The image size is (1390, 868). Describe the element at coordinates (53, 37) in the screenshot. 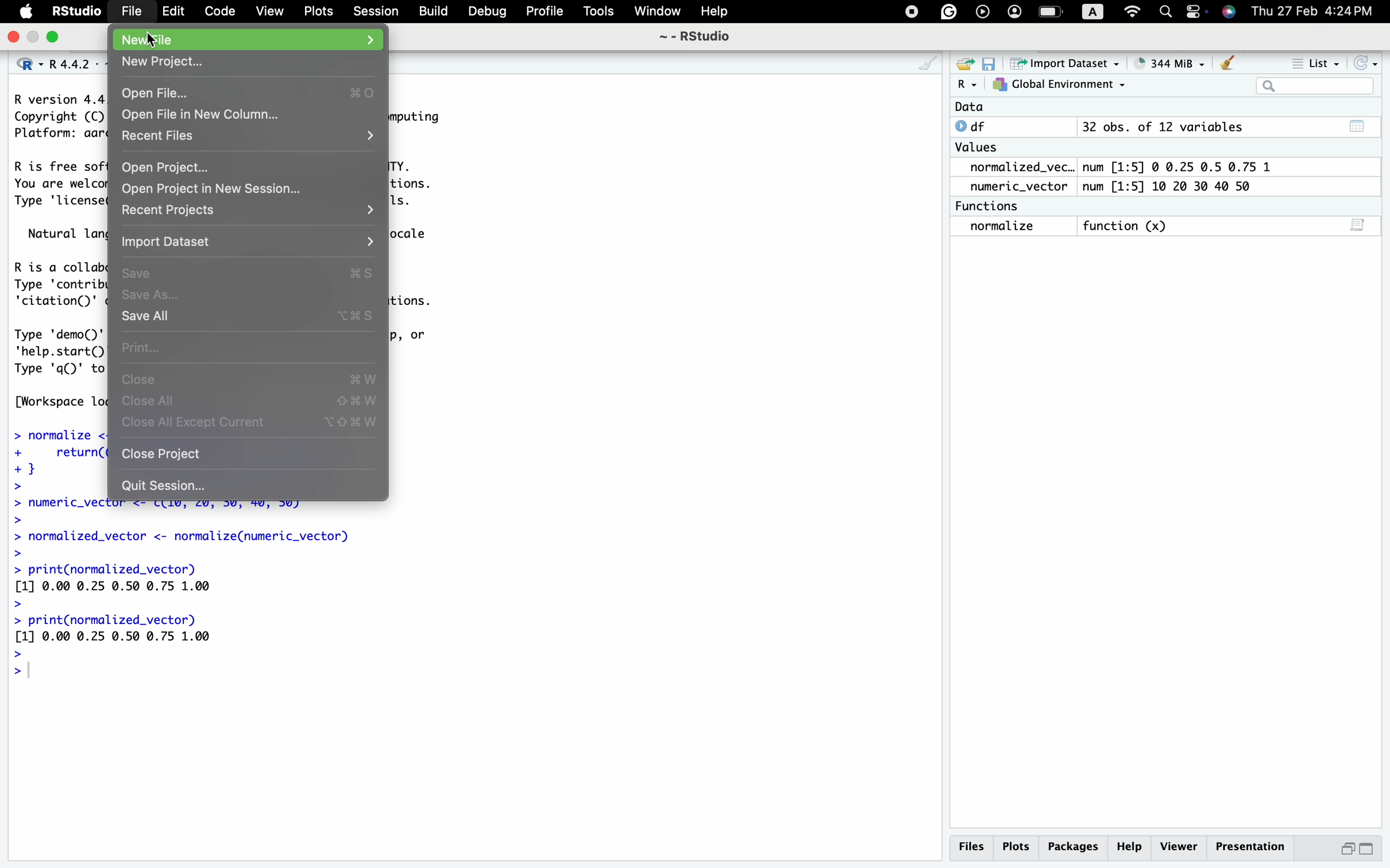

I see `minimize` at that location.